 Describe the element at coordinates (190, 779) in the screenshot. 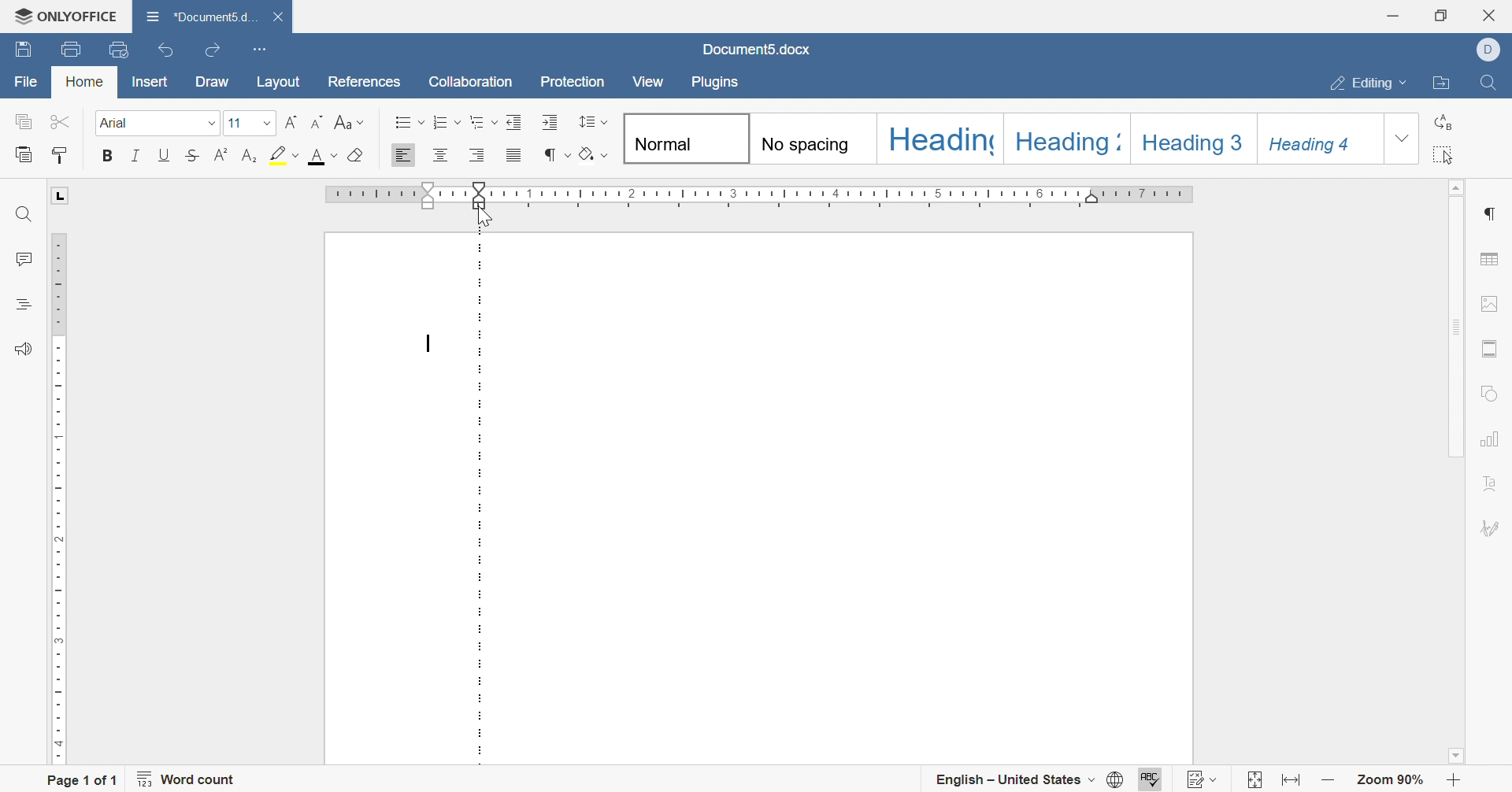

I see `word count` at that location.